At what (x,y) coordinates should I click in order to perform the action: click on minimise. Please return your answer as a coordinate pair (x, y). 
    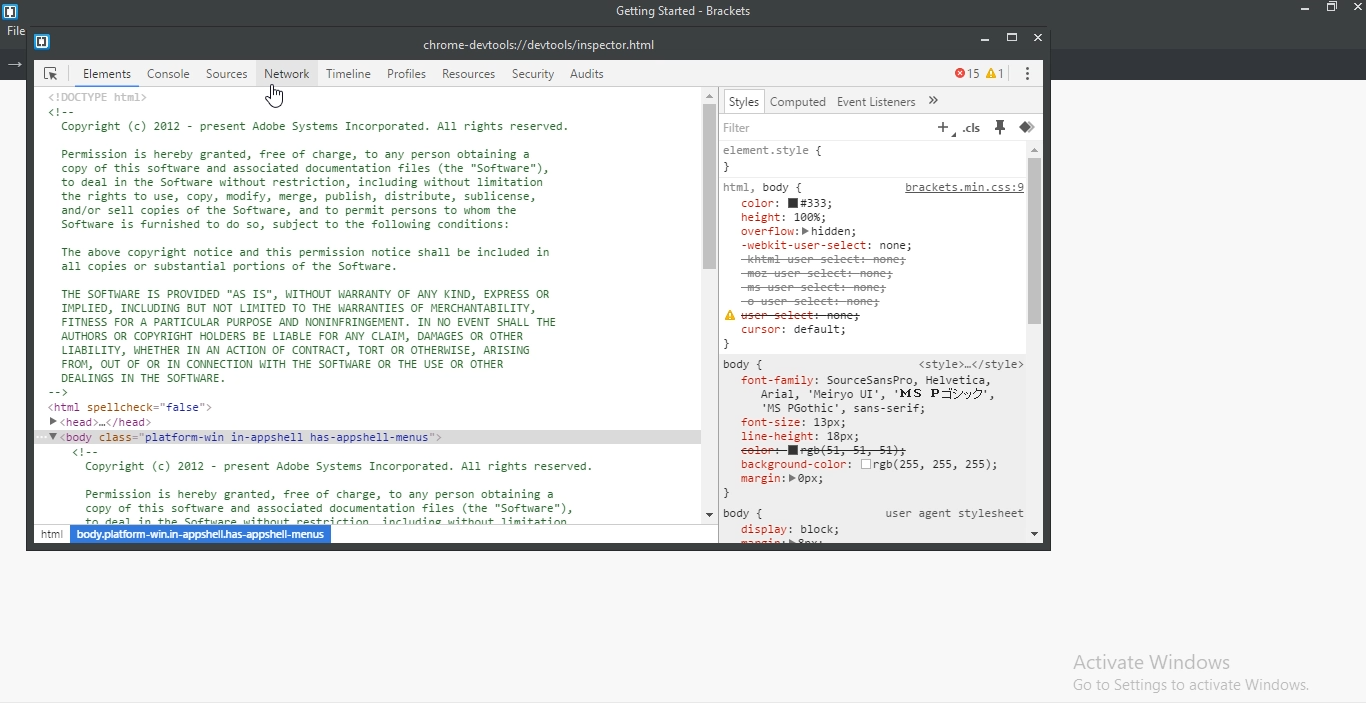
    Looking at the image, I should click on (982, 39).